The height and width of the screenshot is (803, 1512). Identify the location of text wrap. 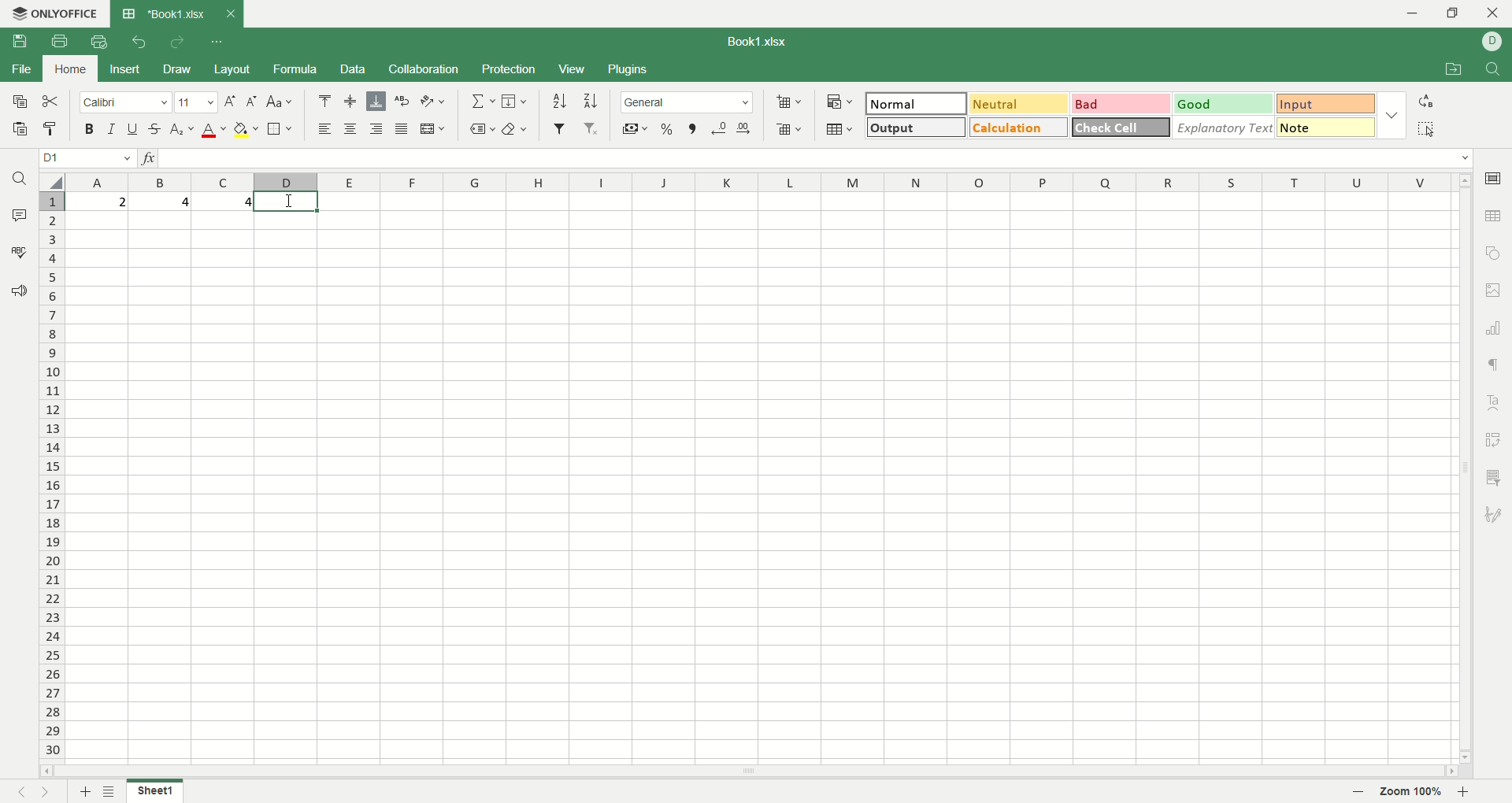
(401, 102).